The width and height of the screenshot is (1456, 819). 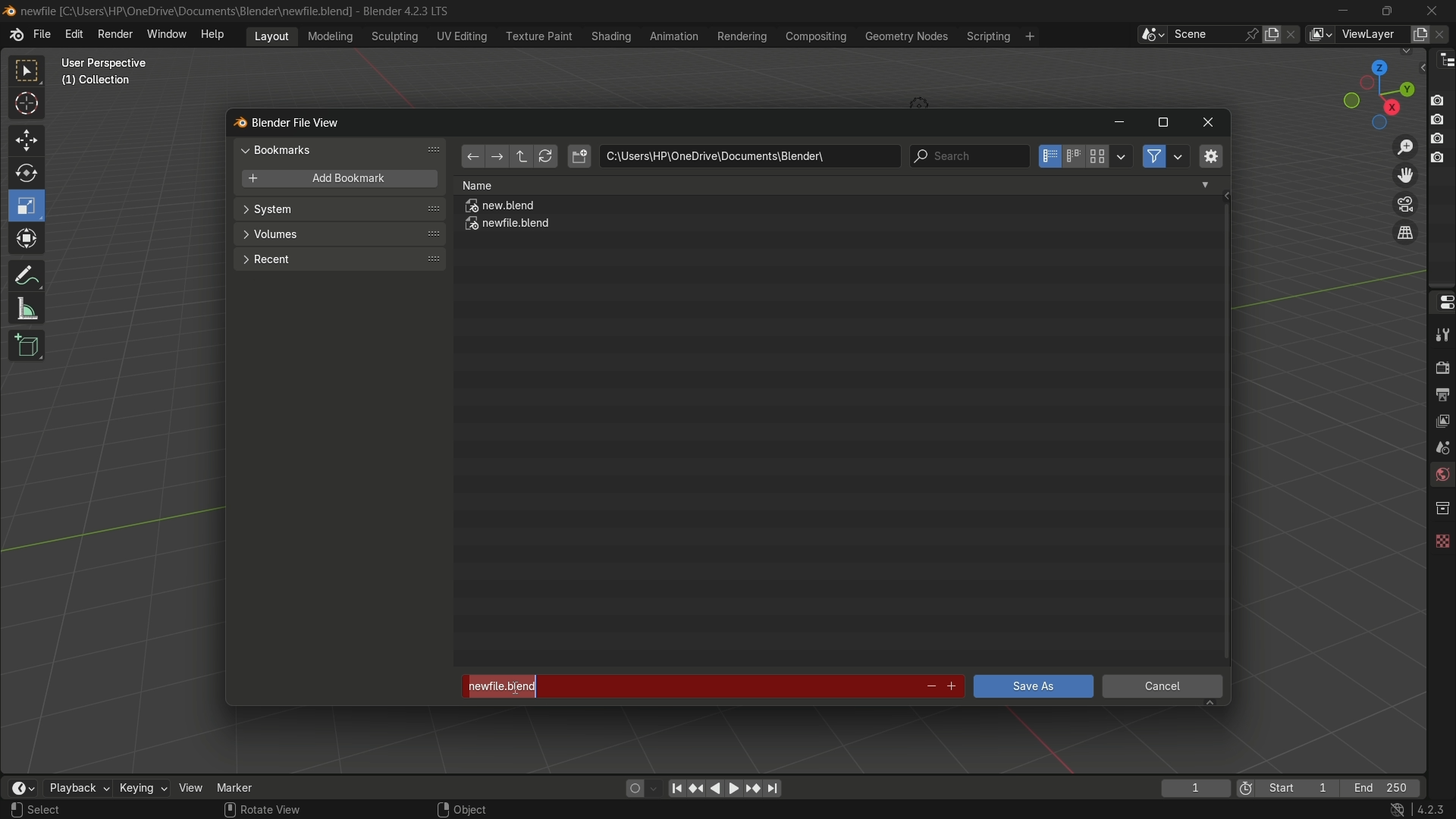 I want to click on annotate, so click(x=26, y=274).